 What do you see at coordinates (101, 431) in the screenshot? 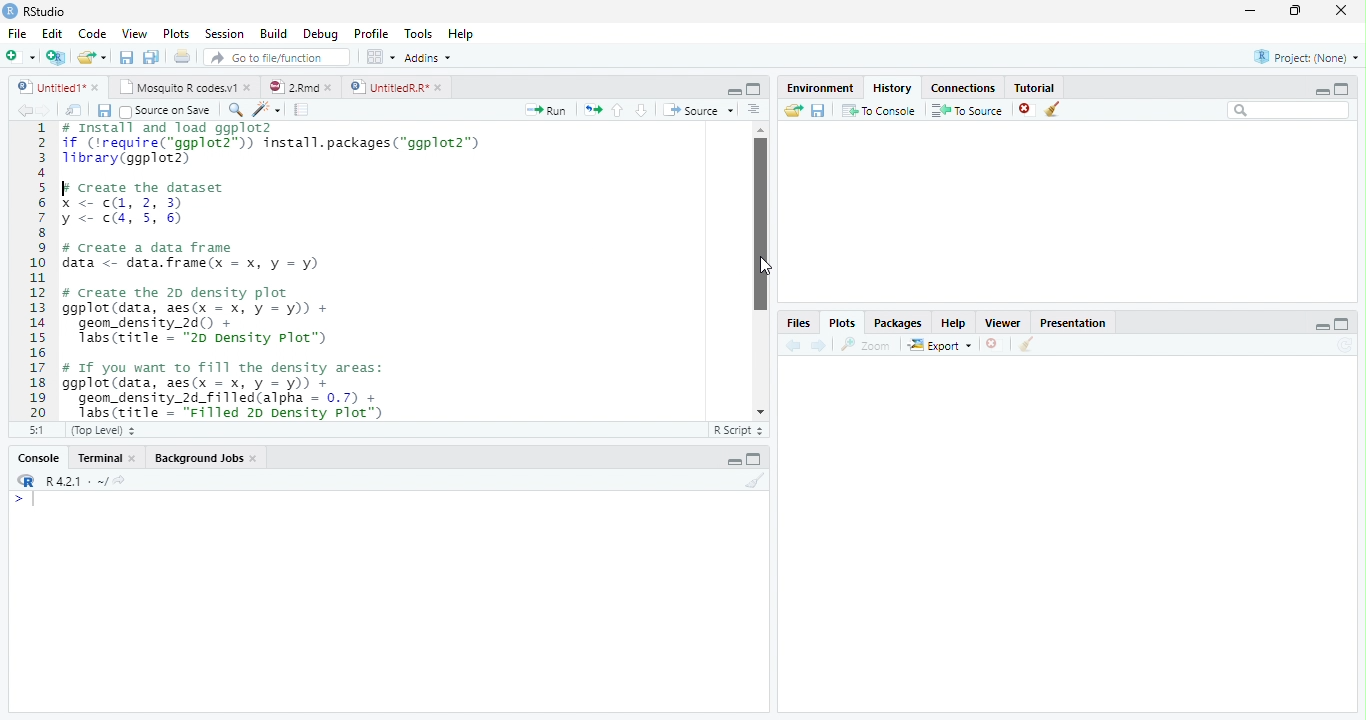
I see `(Top Level)` at bounding box center [101, 431].